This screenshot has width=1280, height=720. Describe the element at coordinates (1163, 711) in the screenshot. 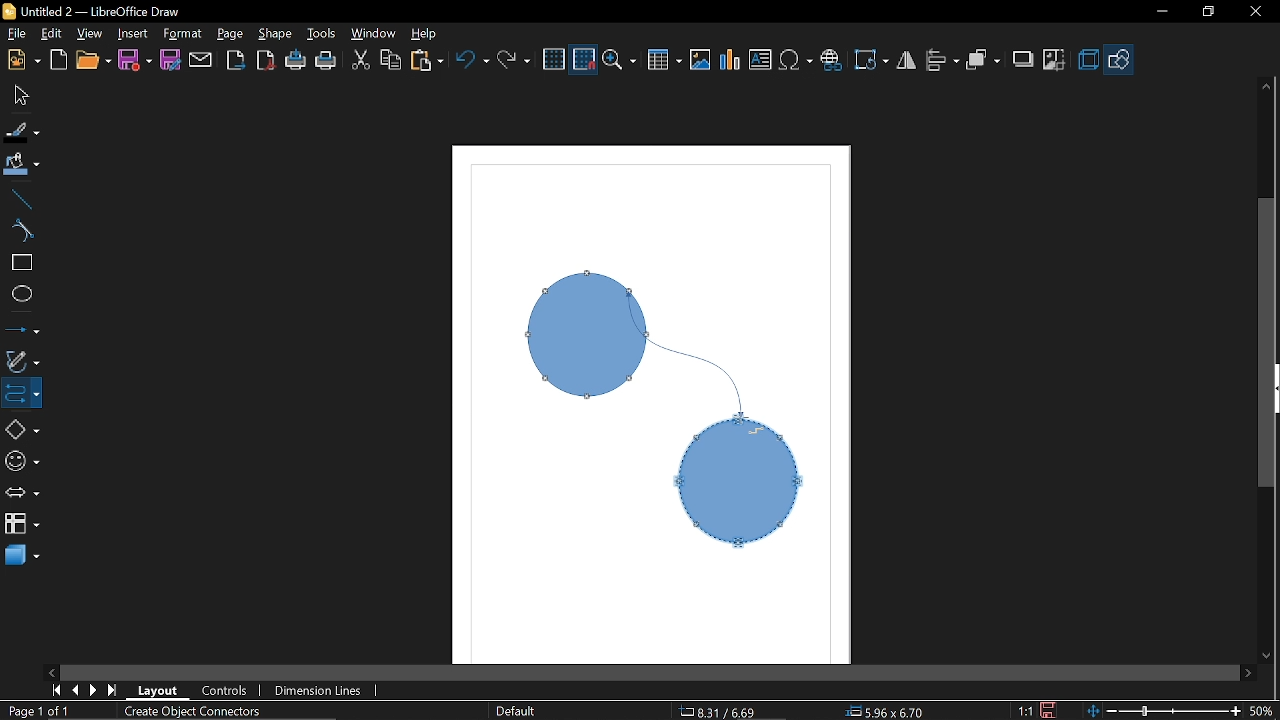

I see `Zoom chnage` at that location.